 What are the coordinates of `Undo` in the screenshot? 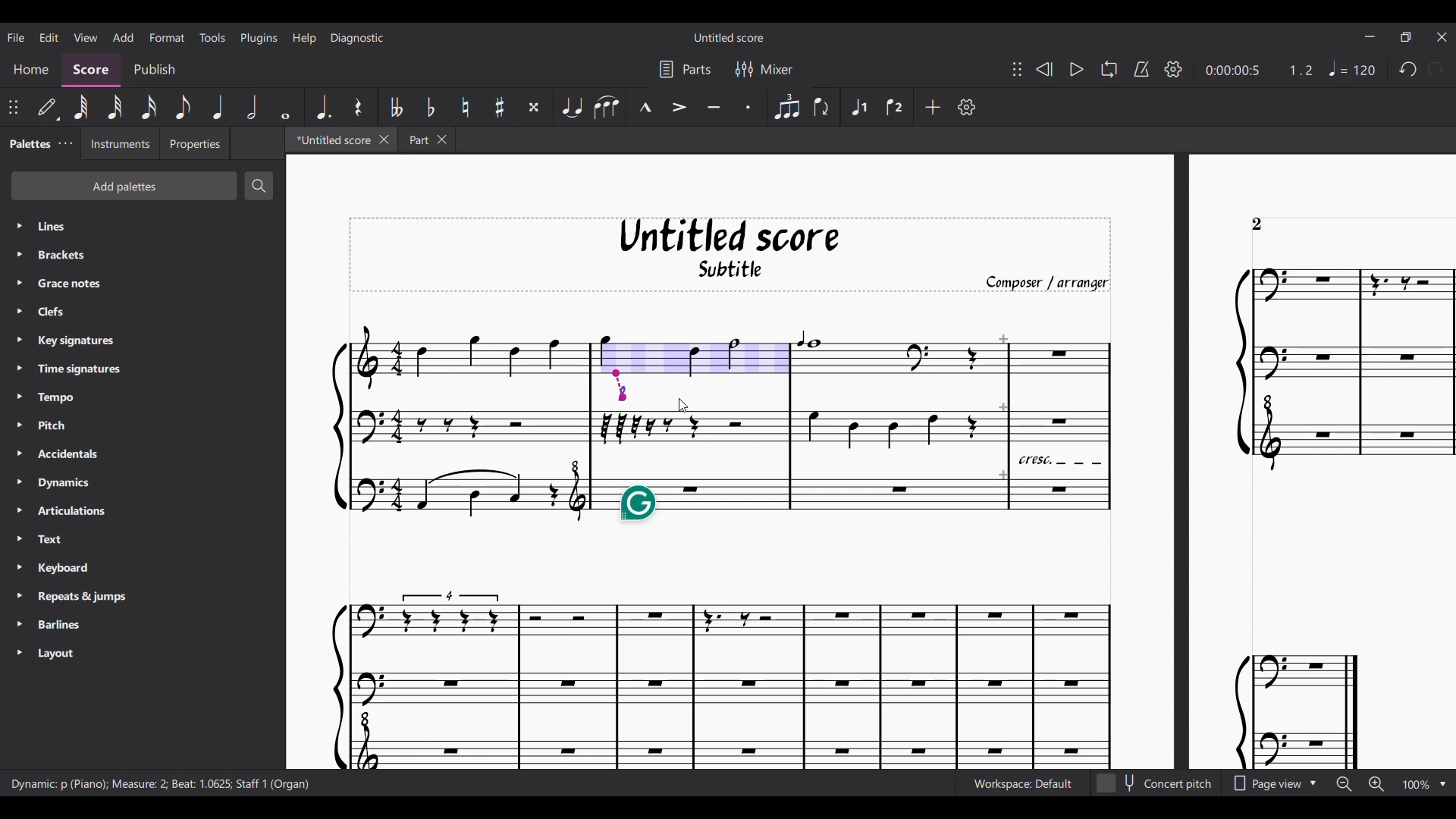 It's located at (1407, 68).